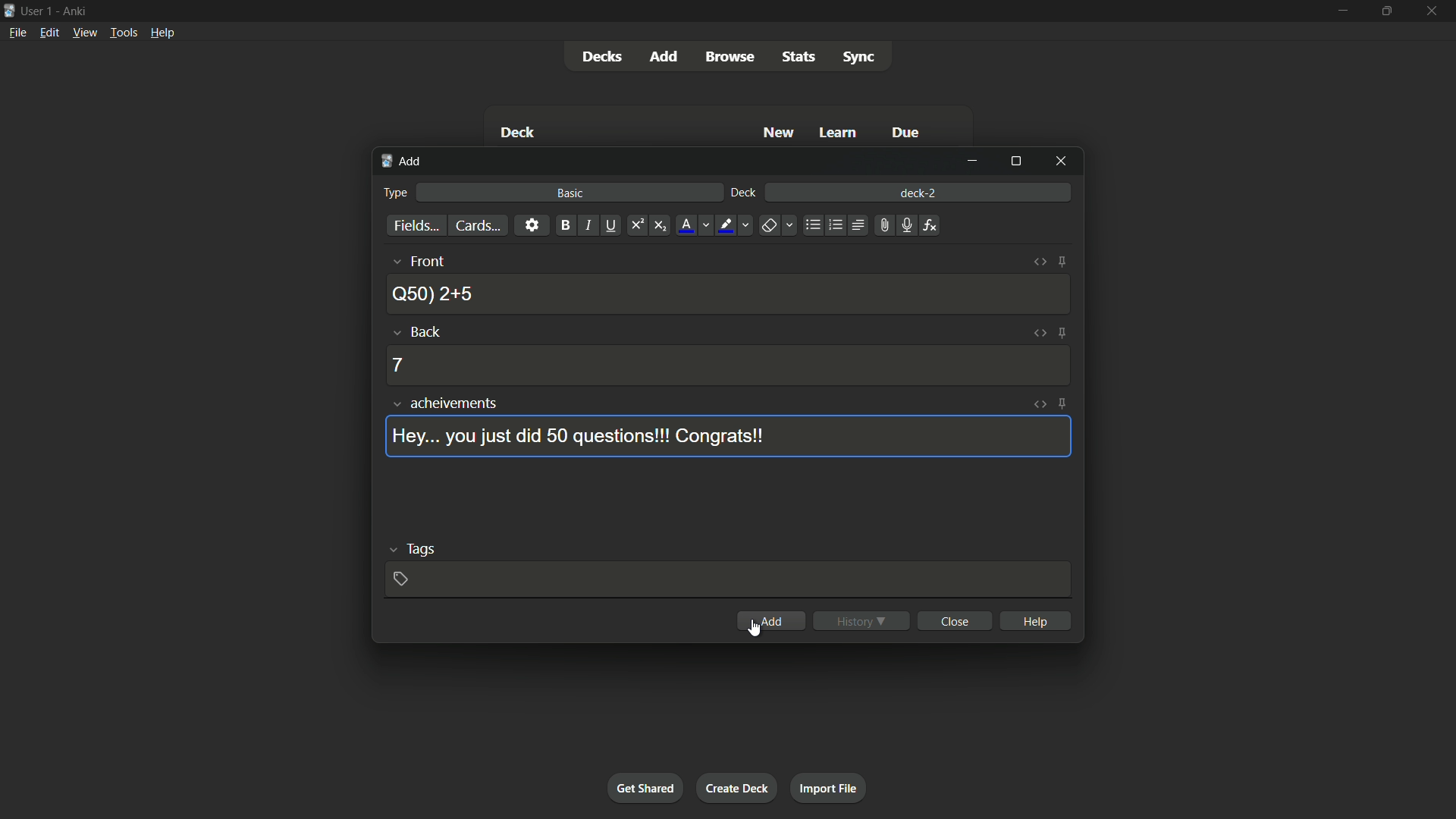 Image resolution: width=1456 pixels, height=819 pixels. What do you see at coordinates (580, 436) in the screenshot?
I see `Hey... you just did 50 questions!!! Congrats!!` at bounding box center [580, 436].